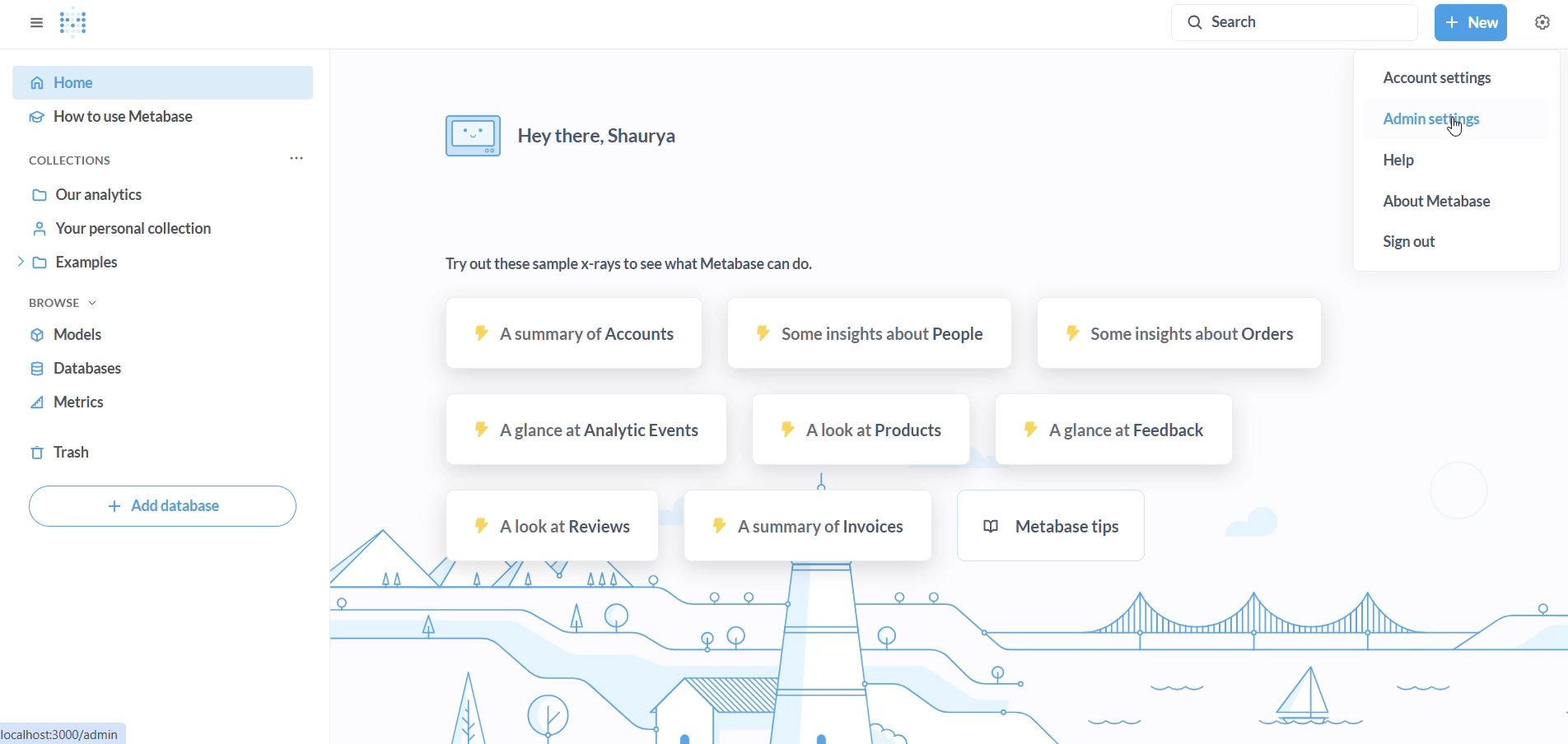 The image size is (1568, 744). What do you see at coordinates (1465, 79) in the screenshot?
I see `Account settings` at bounding box center [1465, 79].